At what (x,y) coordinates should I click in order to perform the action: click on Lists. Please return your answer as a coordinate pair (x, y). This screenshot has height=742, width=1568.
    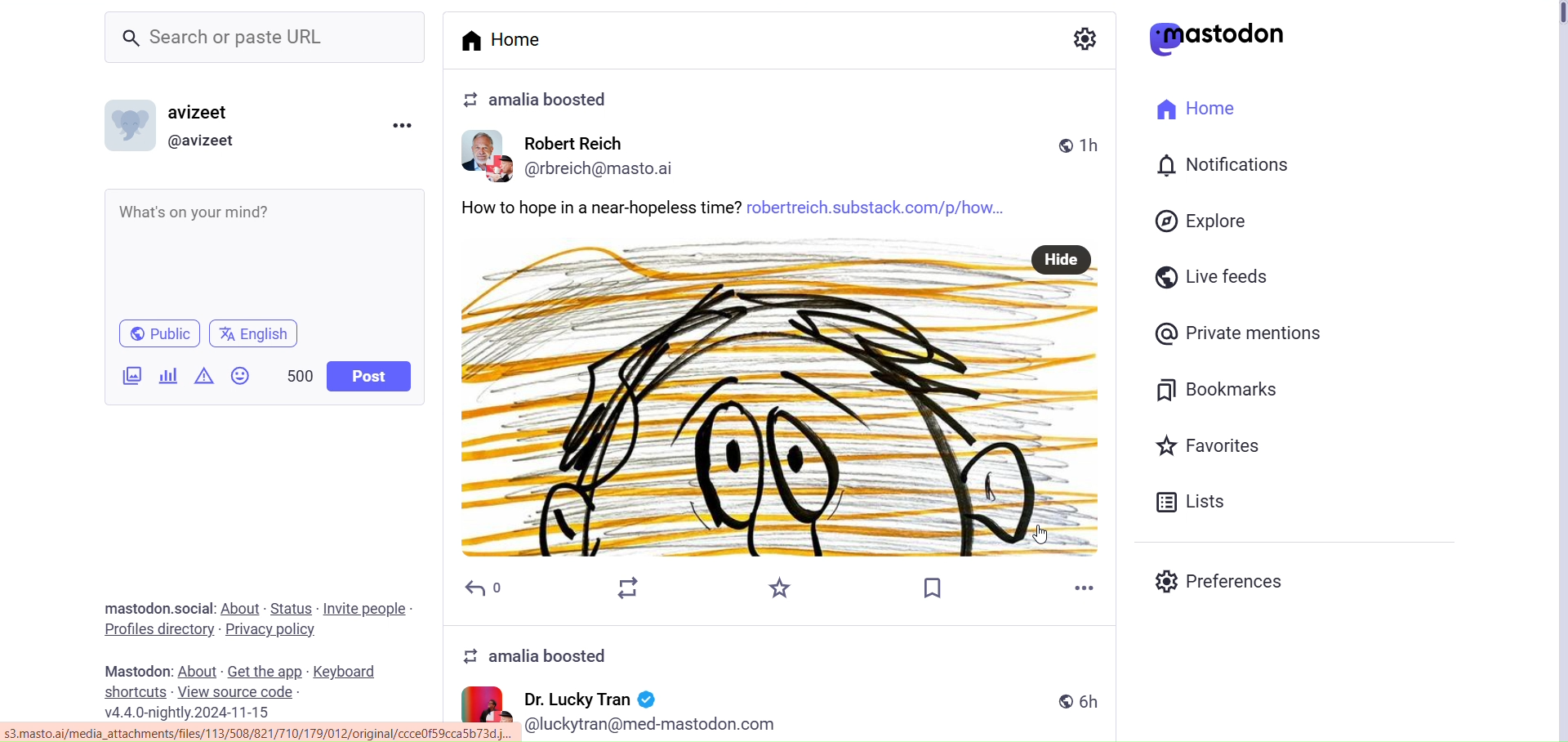
    Looking at the image, I should click on (1194, 502).